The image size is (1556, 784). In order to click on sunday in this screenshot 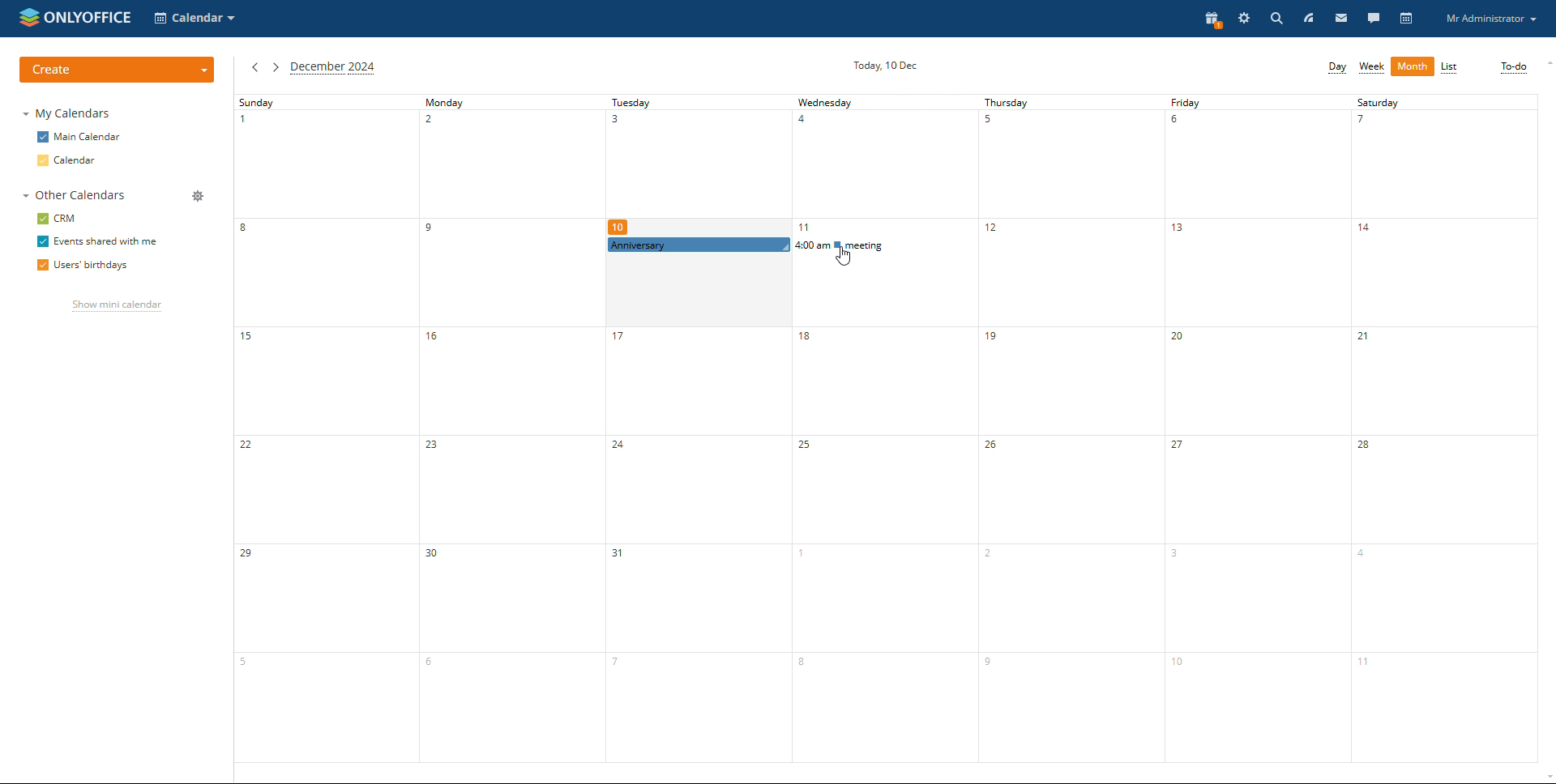, I will do `click(323, 427)`.